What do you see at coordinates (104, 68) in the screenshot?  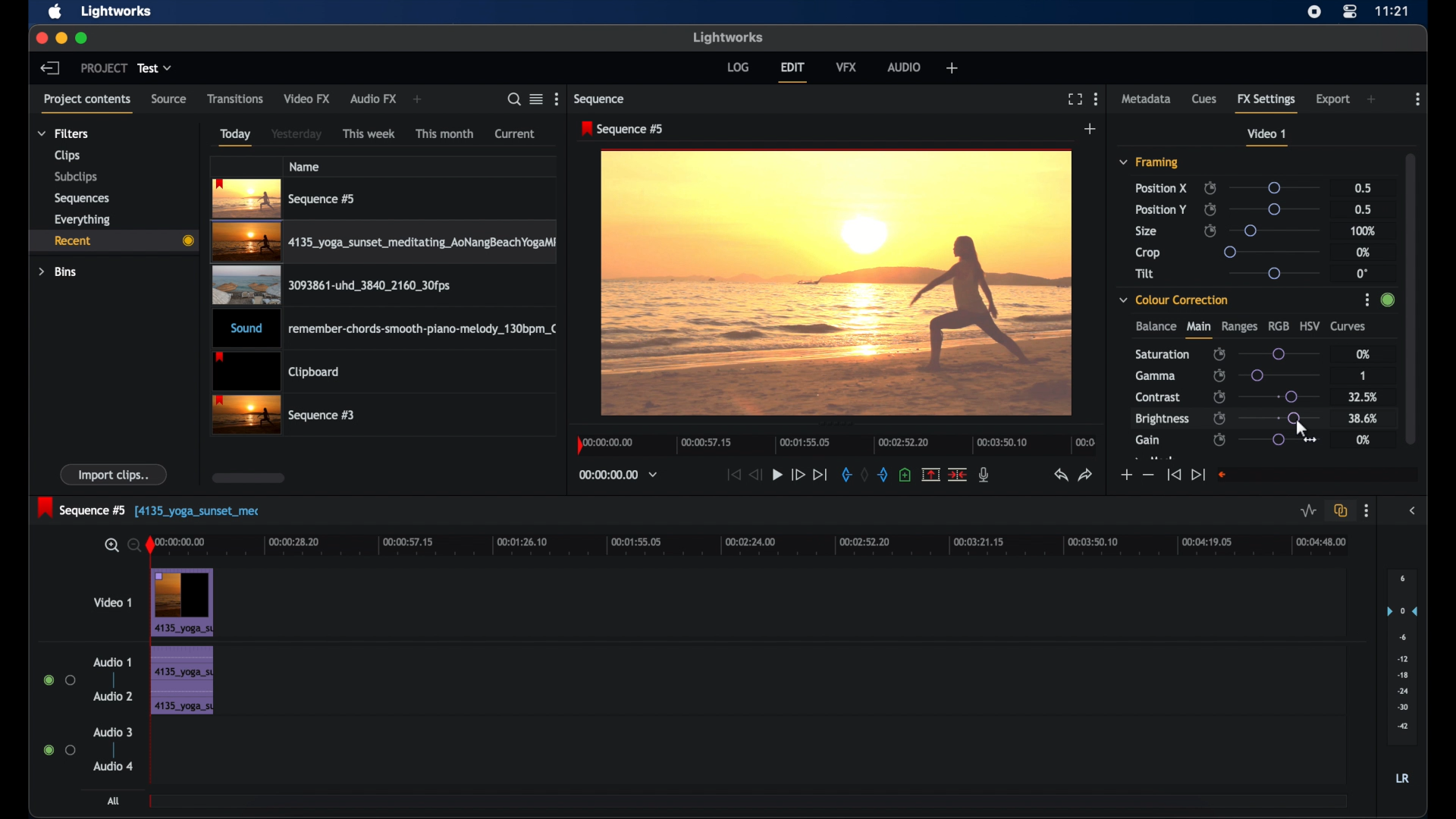 I see `project` at bounding box center [104, 68].